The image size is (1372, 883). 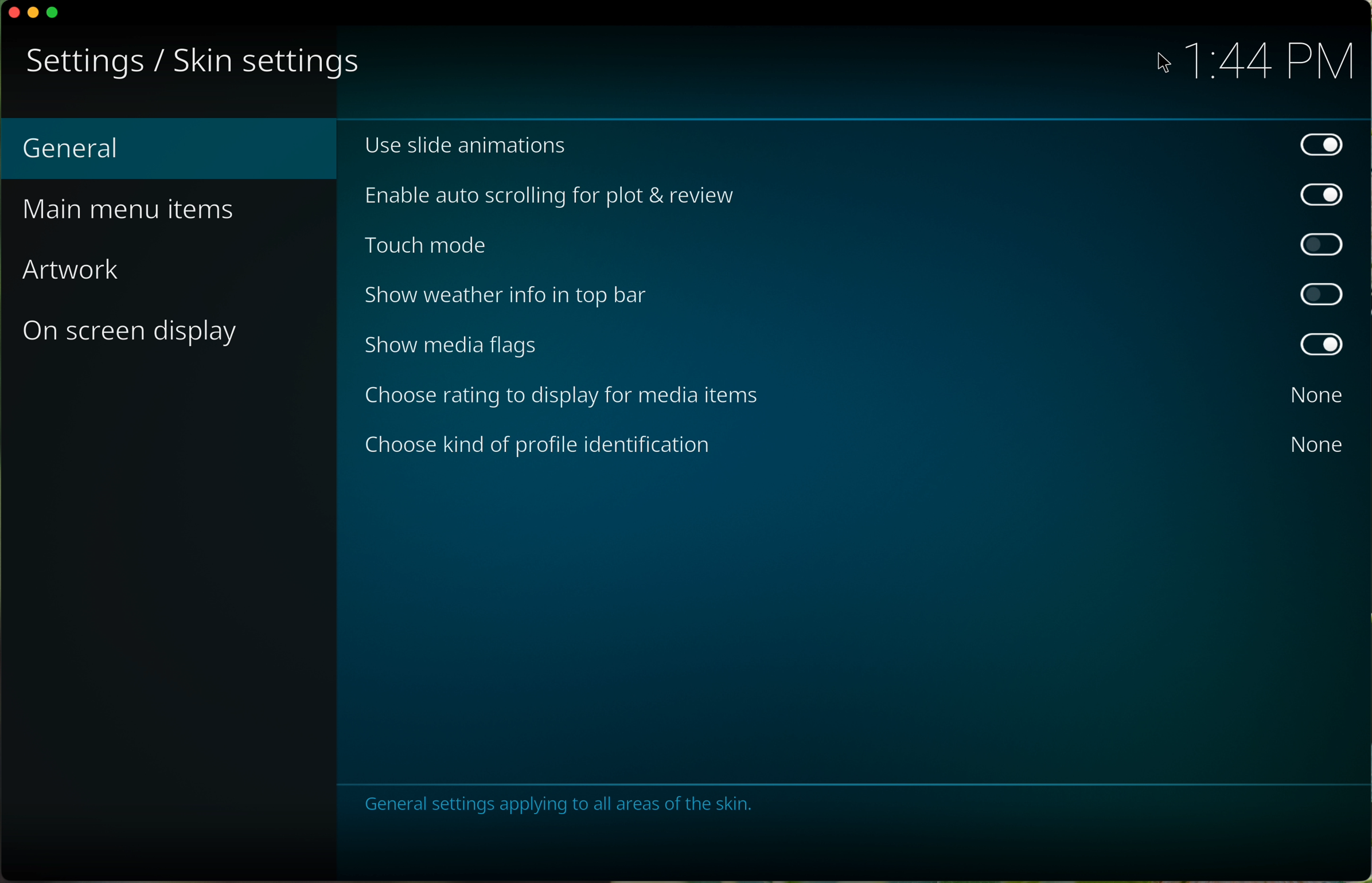 What do you see at coordinates (1161, 65) in the screenshot?
I see `pointer` at bounding box center [1161, 65].